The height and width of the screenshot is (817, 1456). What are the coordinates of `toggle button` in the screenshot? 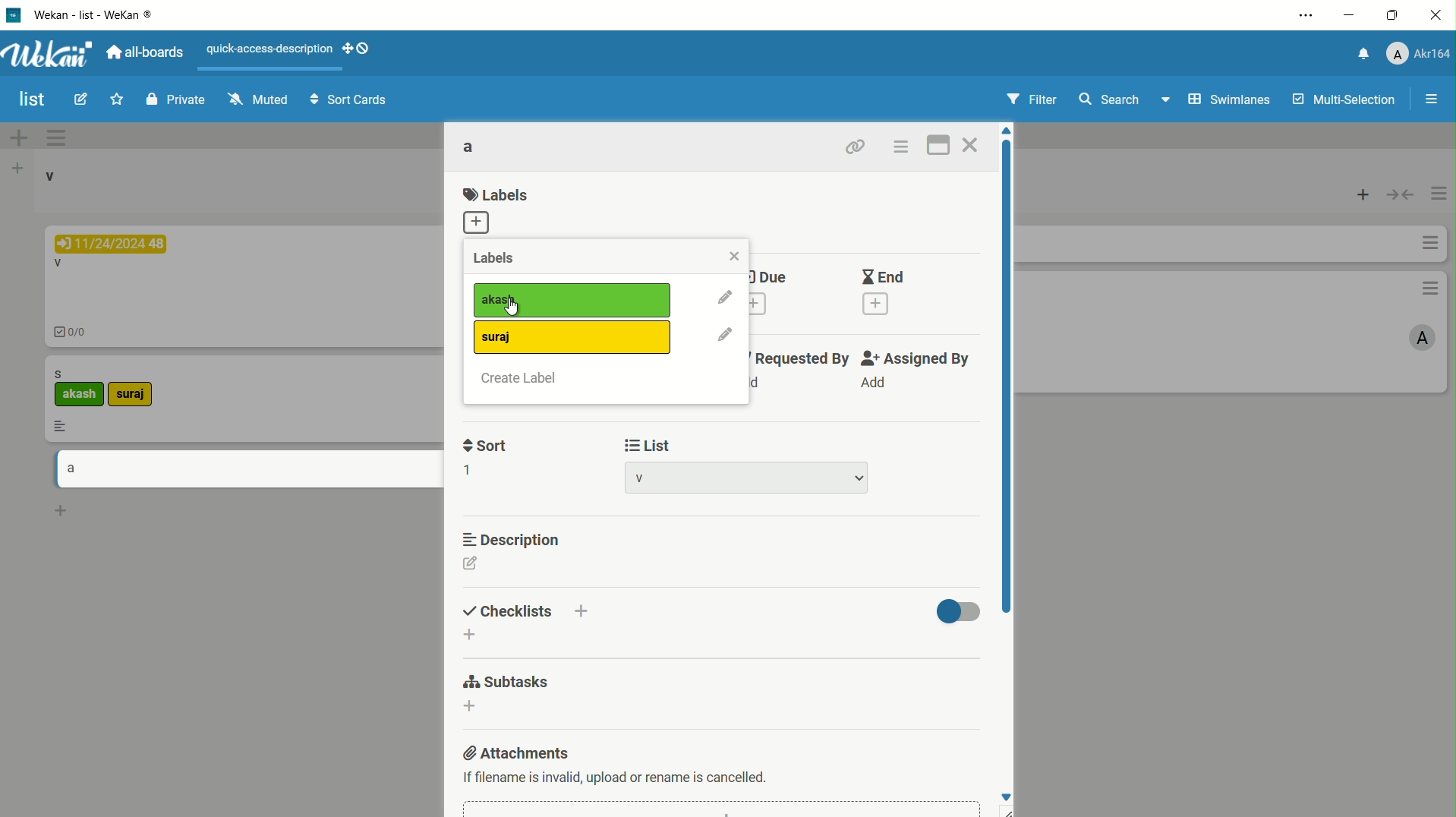 It's located at (960, 611).